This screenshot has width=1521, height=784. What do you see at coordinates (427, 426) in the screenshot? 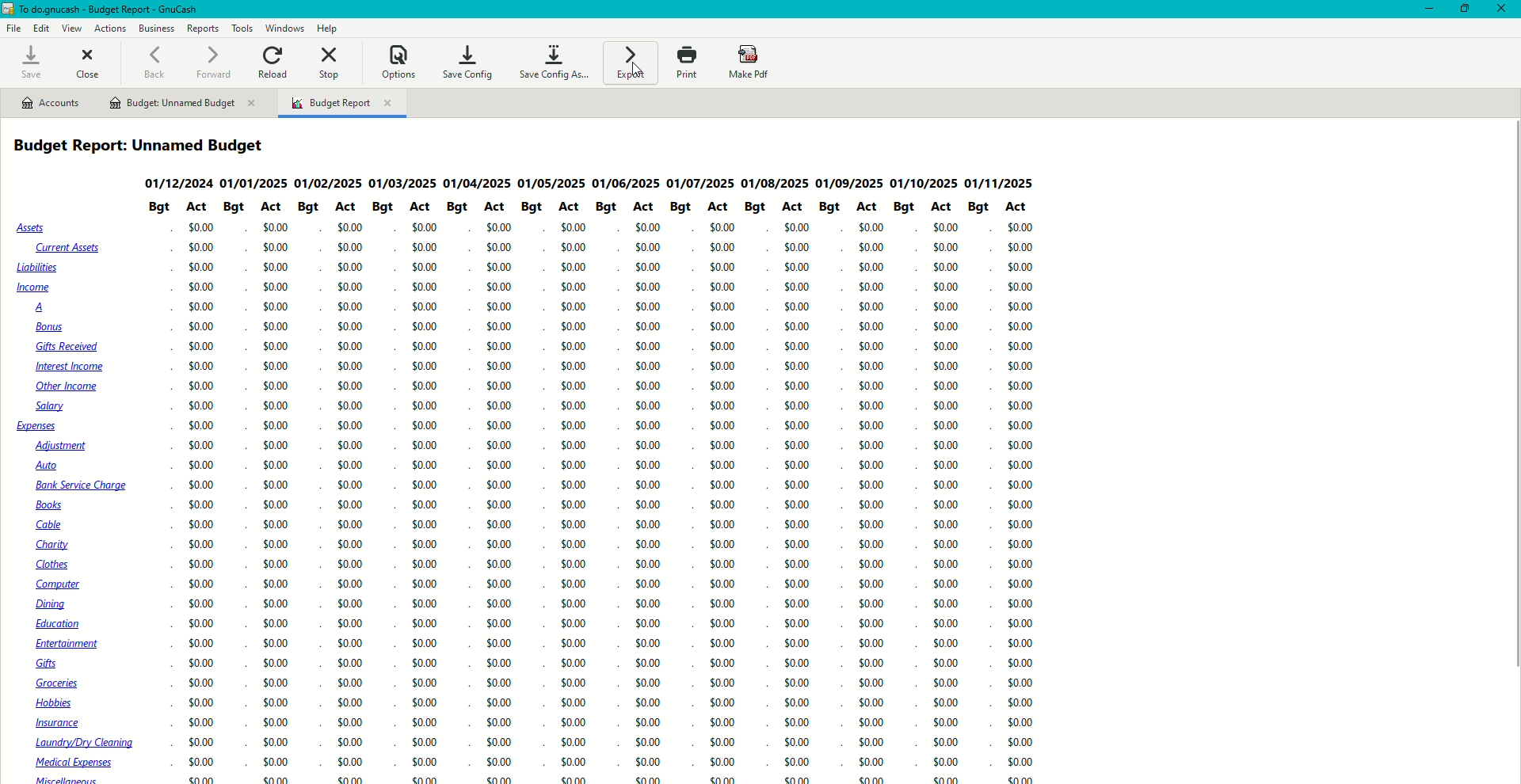
I see `$0.00` at bounding box center [427, 426].